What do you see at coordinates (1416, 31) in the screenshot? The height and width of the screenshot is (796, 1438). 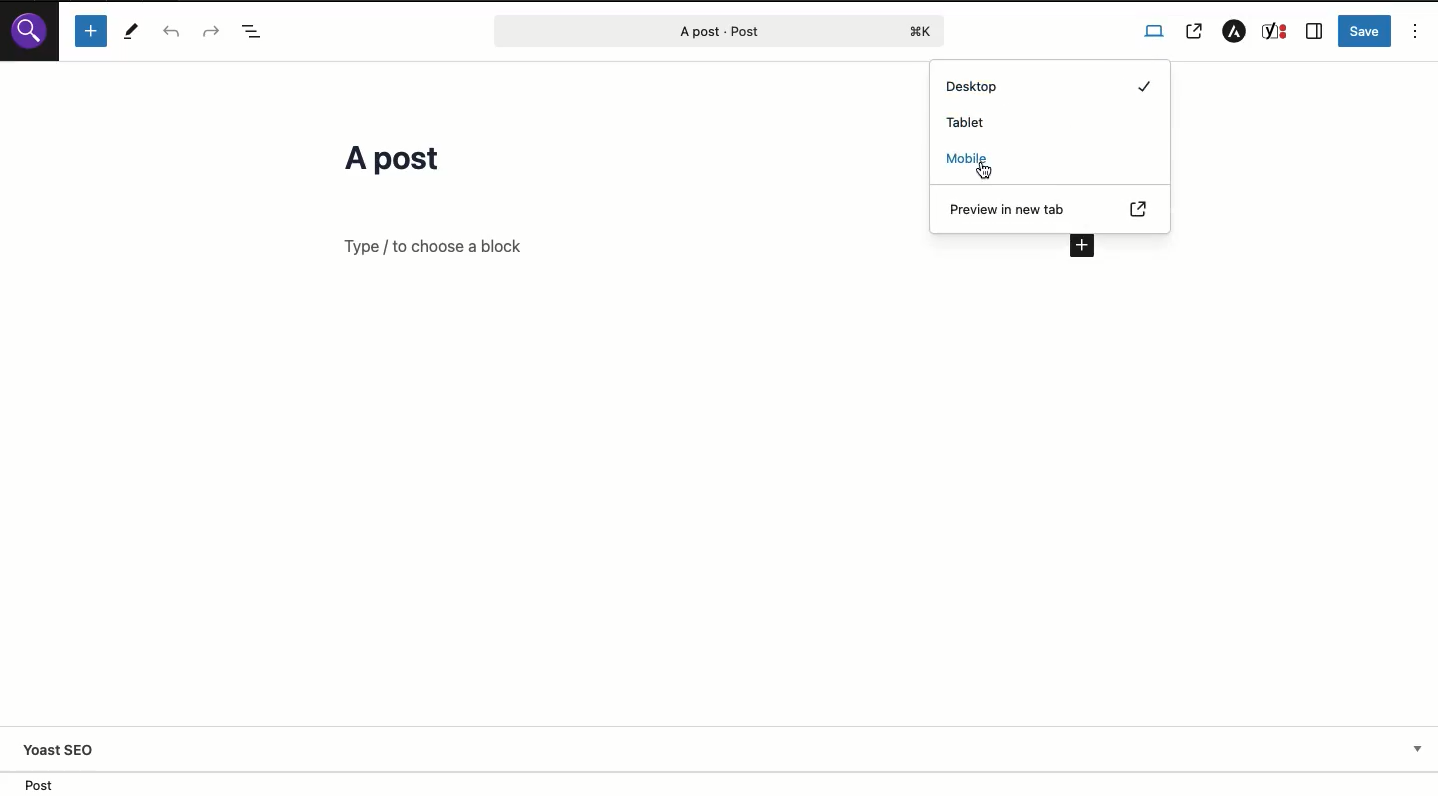 I see `Options` at bounding box center [1416, 31].